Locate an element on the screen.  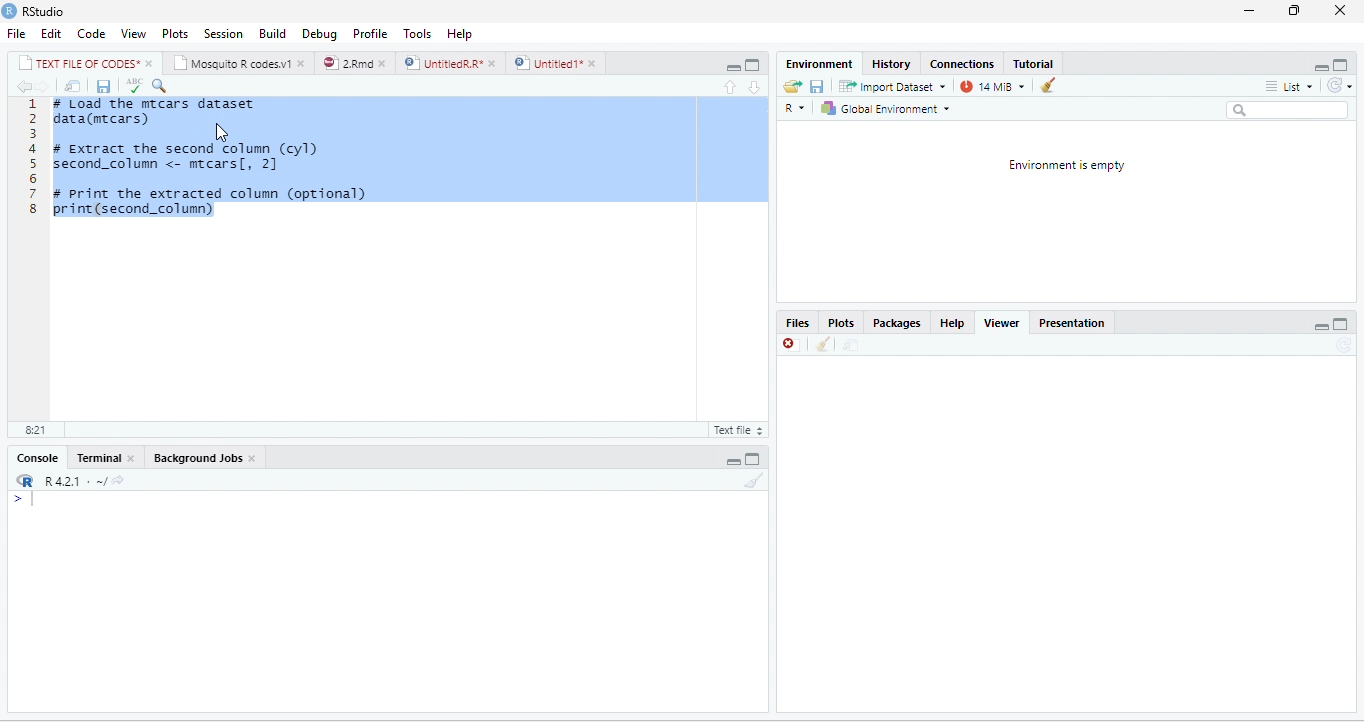
Edit is located at coordinates (51, 34).